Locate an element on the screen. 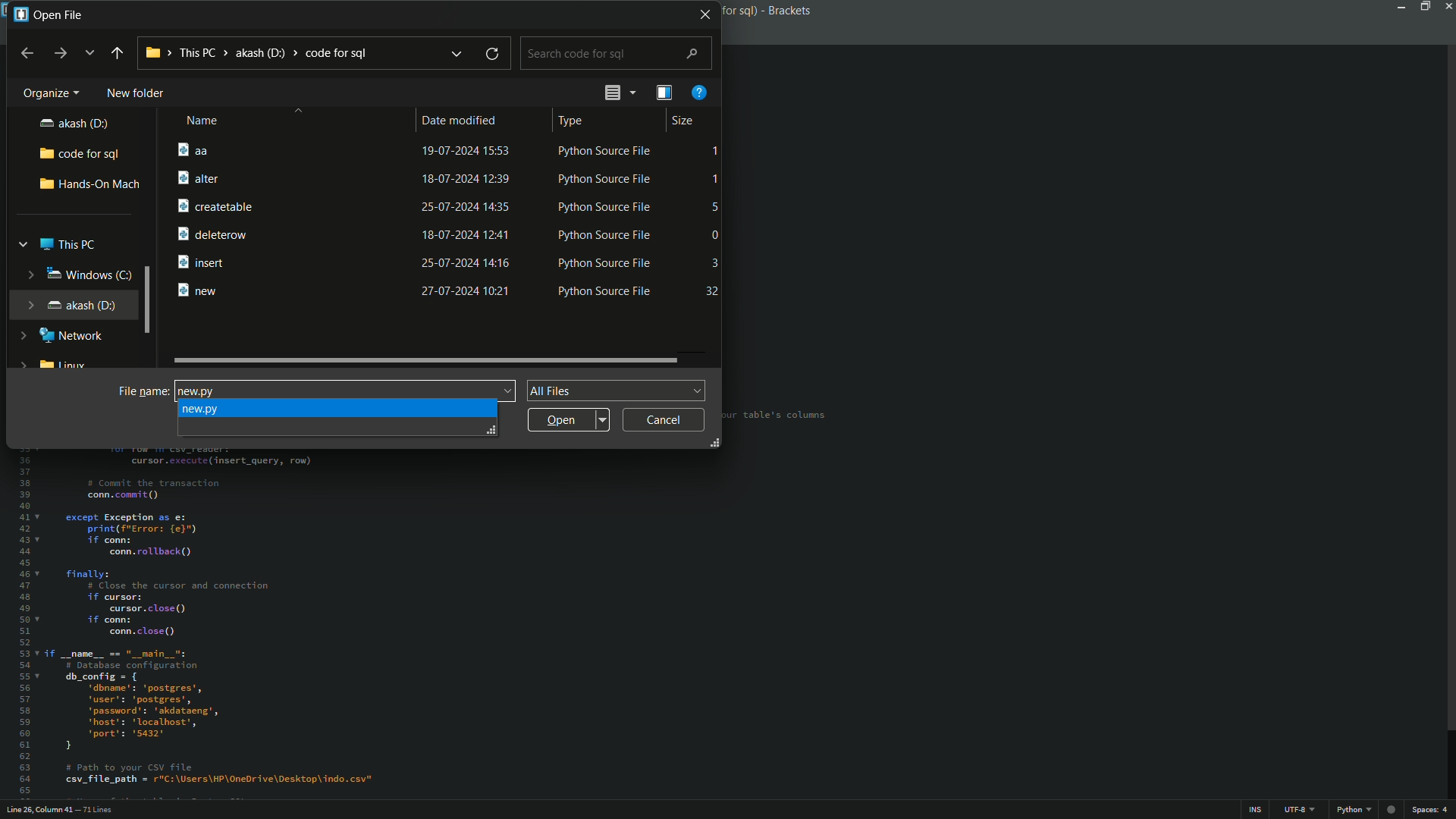 This screenshot has width=1456, height=819. name is located at coordinates (199, 121).